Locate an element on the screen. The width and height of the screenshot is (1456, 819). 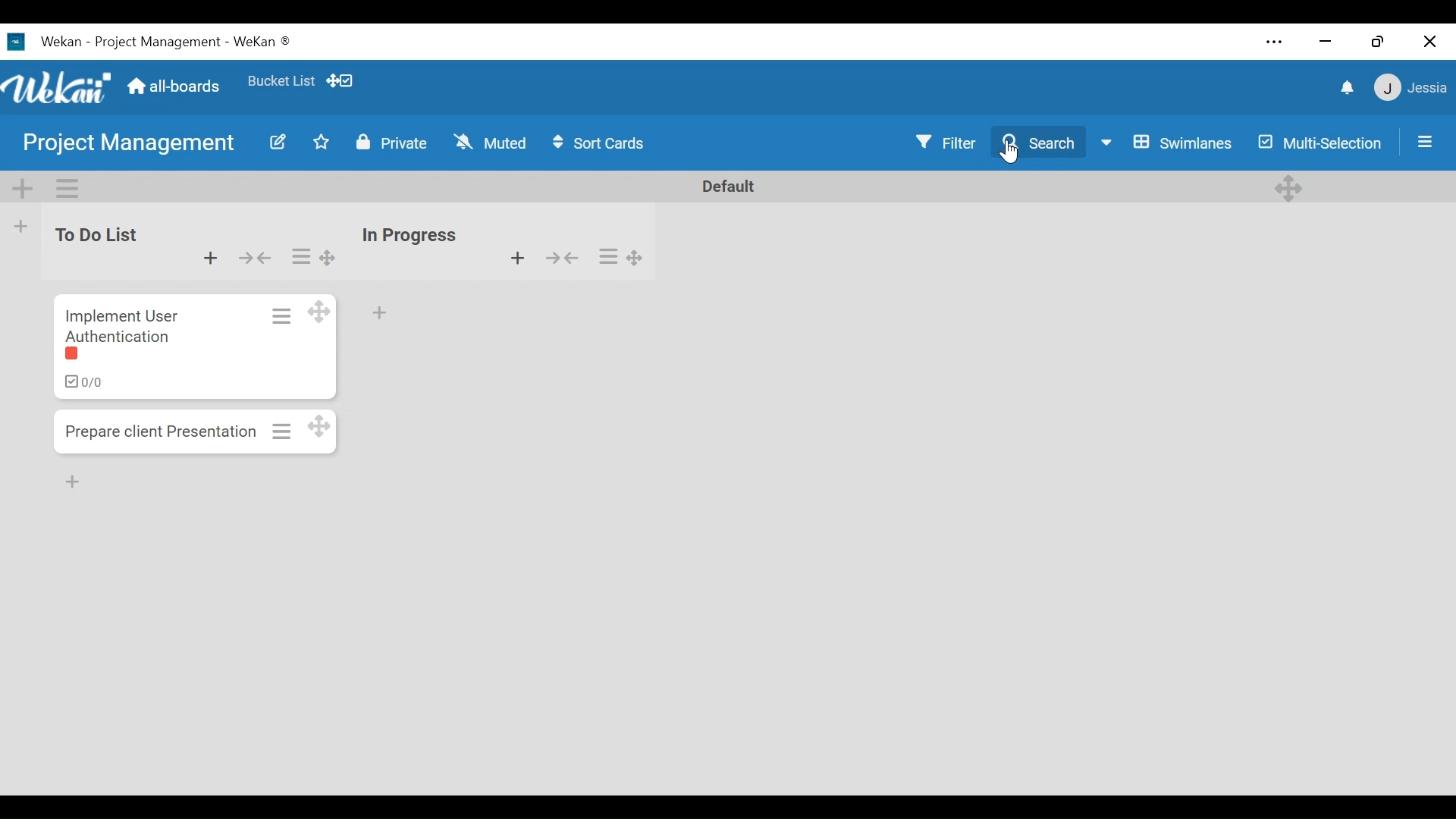
wekan -project management- wekan is located at coordinates (184, 40).